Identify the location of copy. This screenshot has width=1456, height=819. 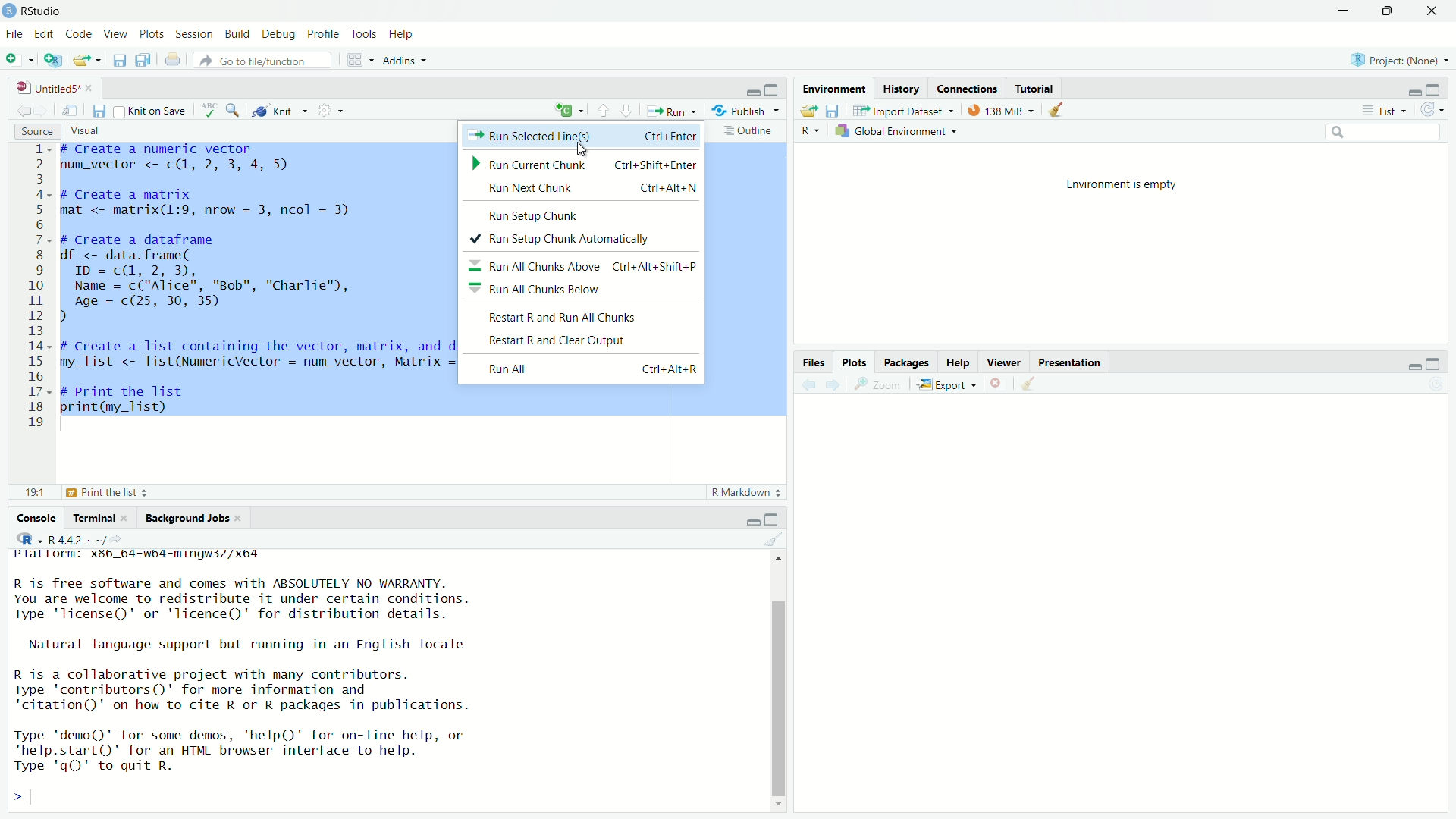
(144, 62).